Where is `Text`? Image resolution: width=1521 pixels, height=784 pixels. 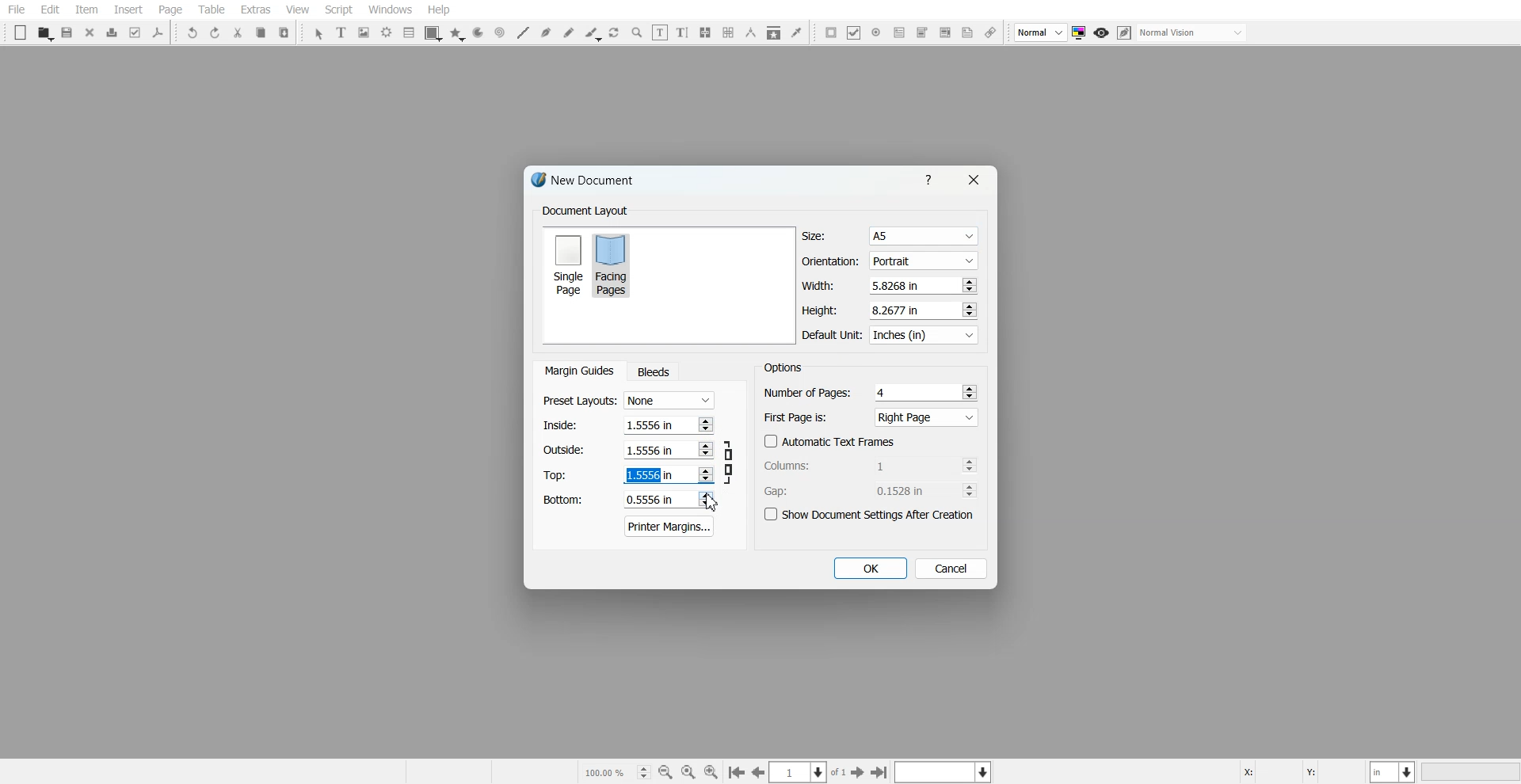
Text is located at coordinates (585, 211).